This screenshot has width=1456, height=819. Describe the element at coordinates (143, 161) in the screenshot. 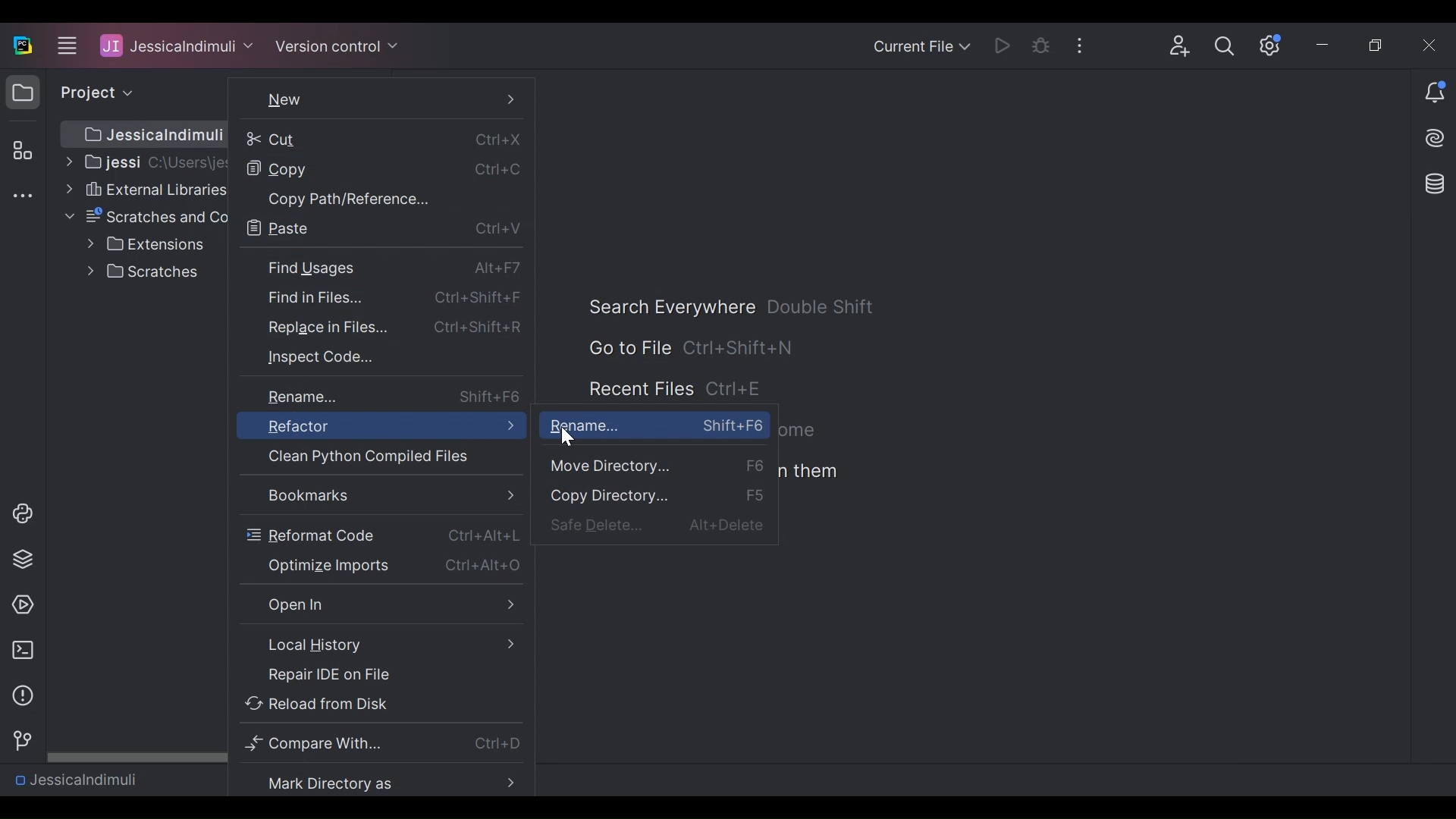

I see `Project Directory` at that location.